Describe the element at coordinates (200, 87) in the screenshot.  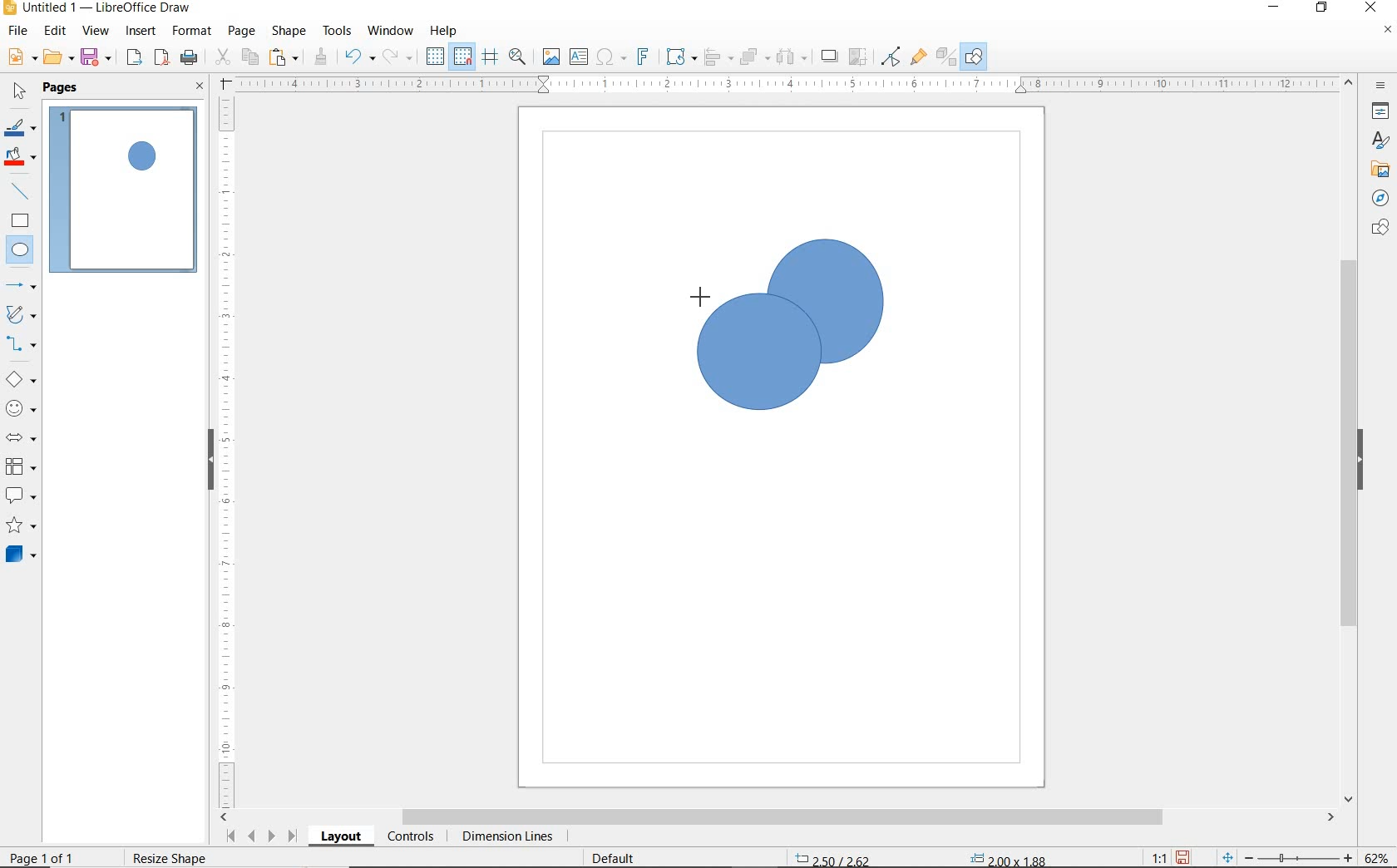
I see `CLOSE` at that location.